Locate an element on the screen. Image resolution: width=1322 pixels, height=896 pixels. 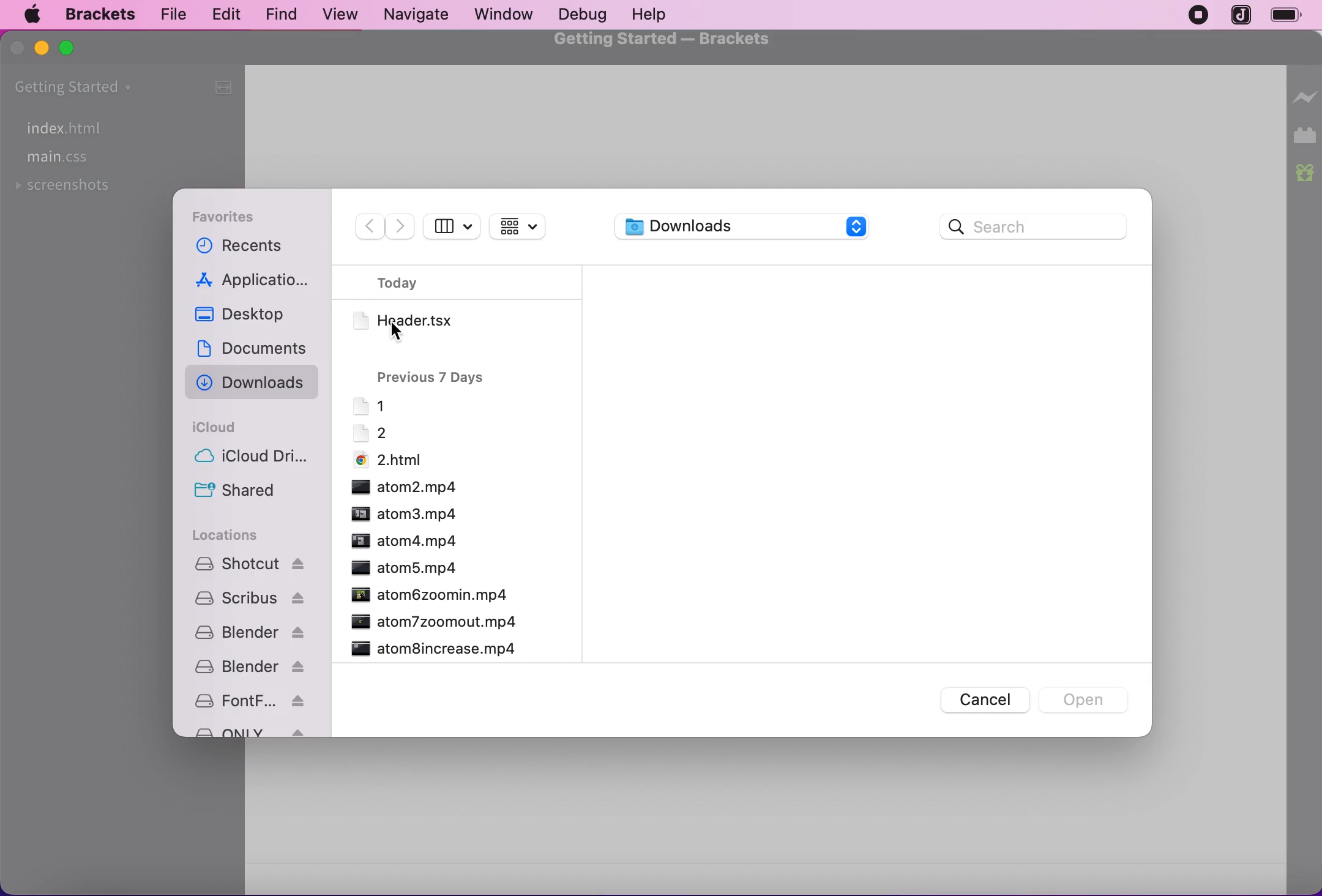
favorites is located at coordinates (239, 215).